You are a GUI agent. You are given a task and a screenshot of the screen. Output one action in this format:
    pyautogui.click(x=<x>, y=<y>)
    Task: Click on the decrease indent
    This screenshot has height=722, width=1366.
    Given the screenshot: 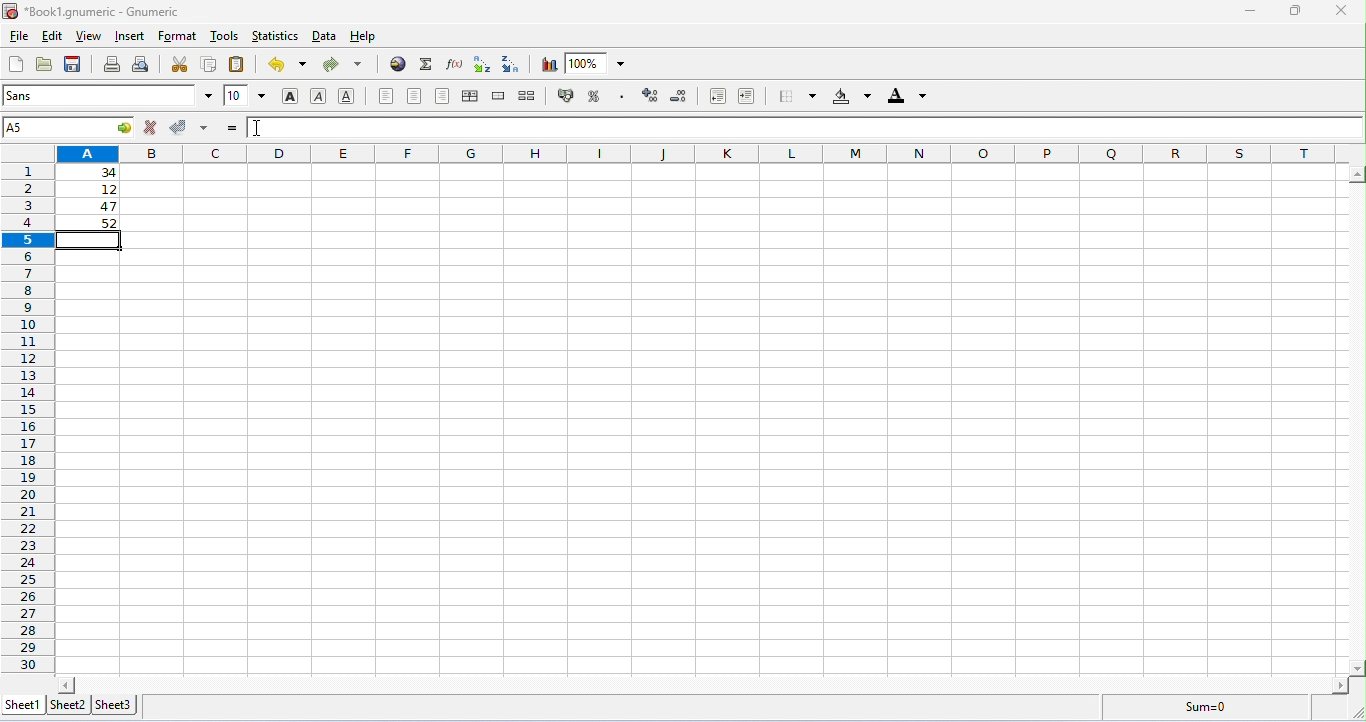 What is the action you would take?
    pyautogui.click(x=719, y=96)
    